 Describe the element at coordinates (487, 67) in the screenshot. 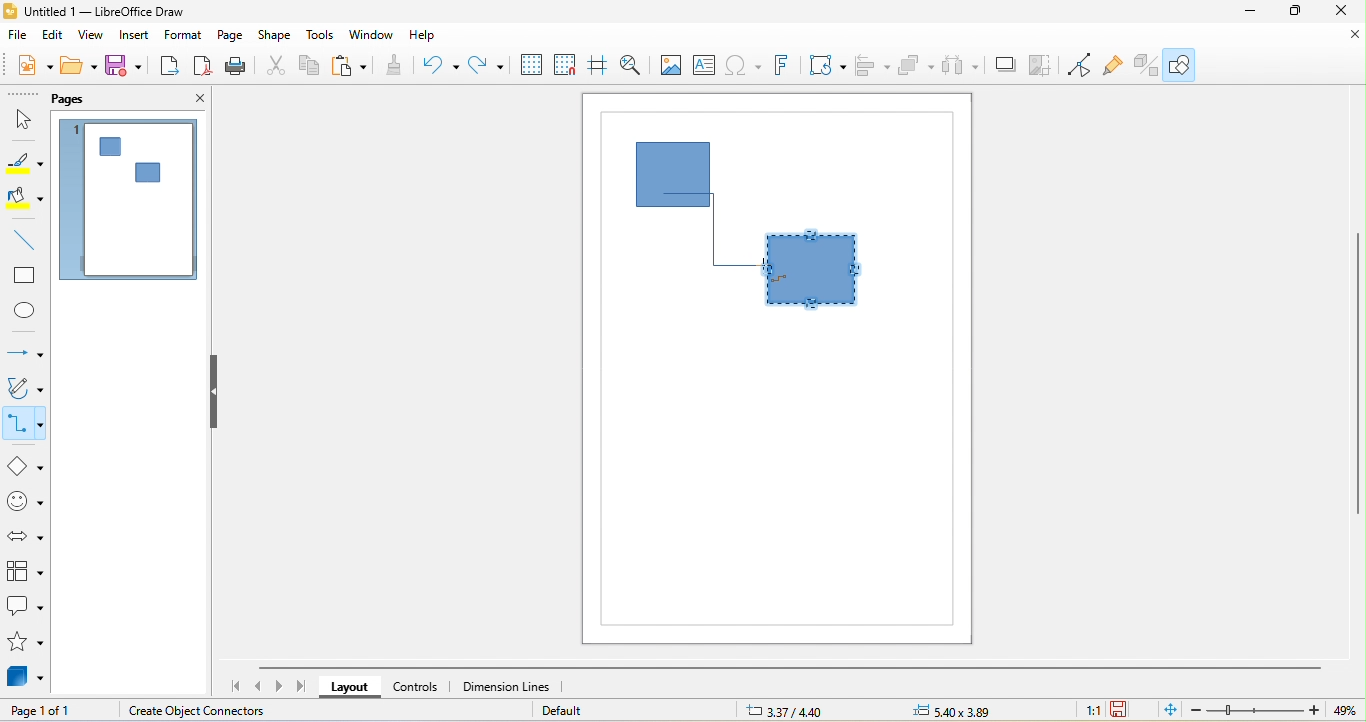

I see `redo` at that location.